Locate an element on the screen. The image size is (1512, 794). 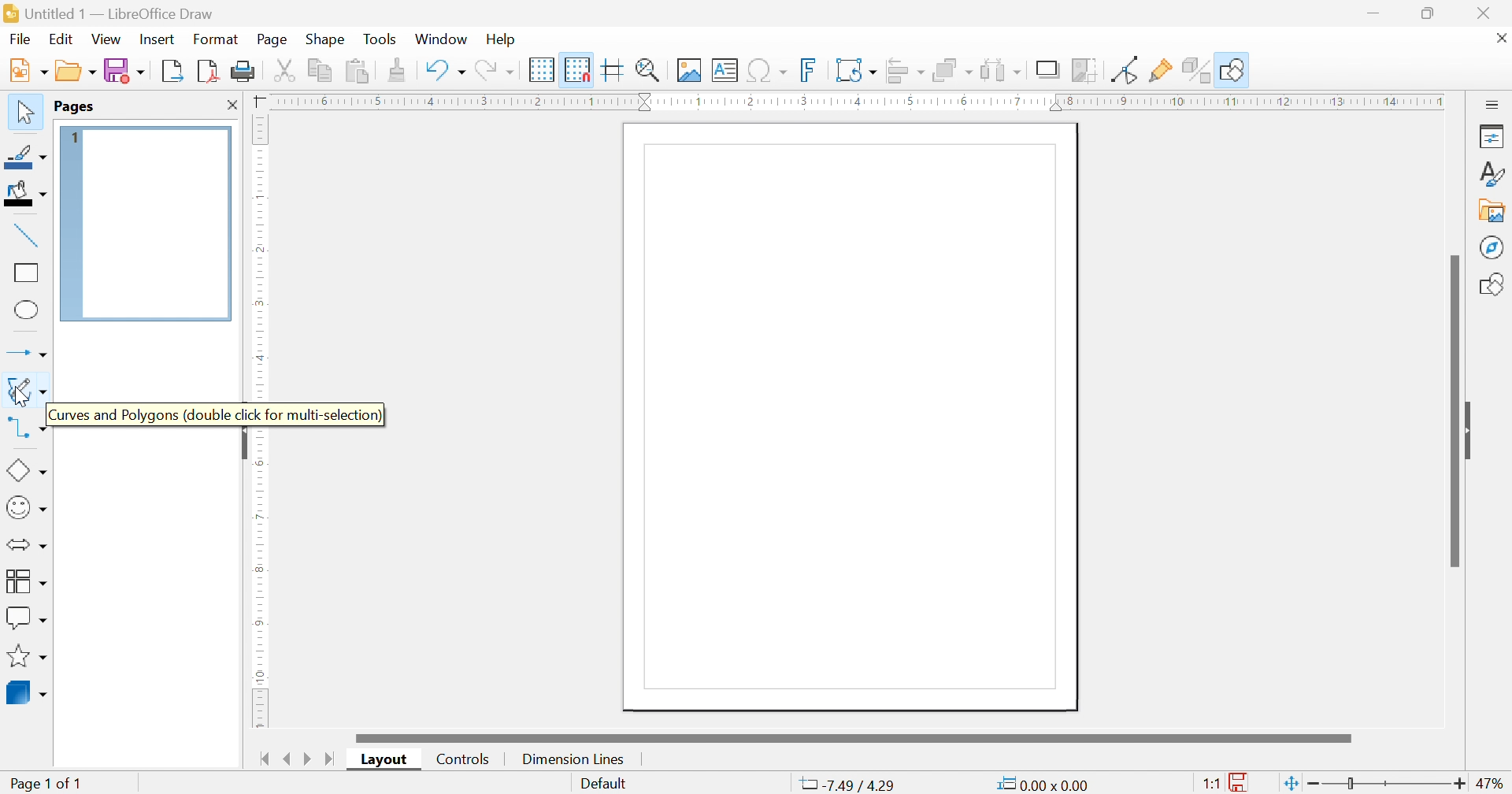
ruler is located at coordinates (256, 577).